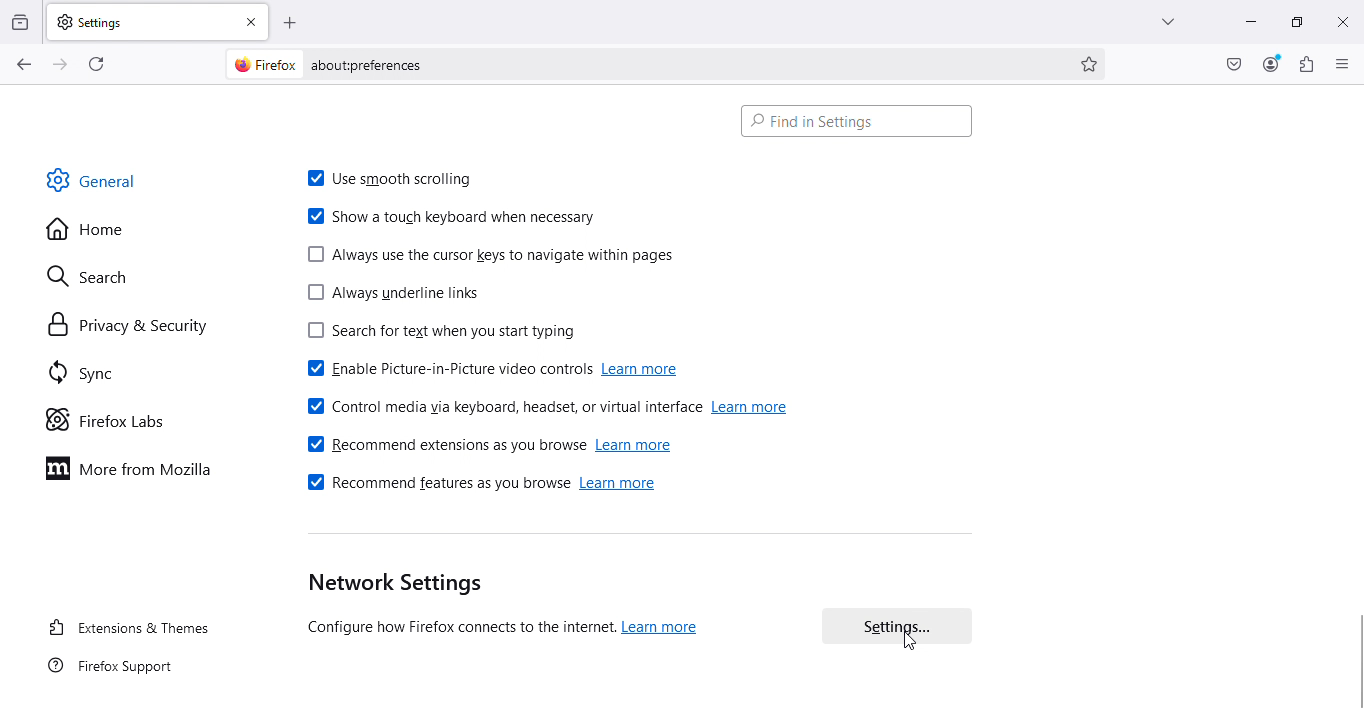 This screenshot has height=720, width=1364. What do you see at coordinates (857, 119) in the screenshot?
I see `Search bar` at bounding box center [857, 119].